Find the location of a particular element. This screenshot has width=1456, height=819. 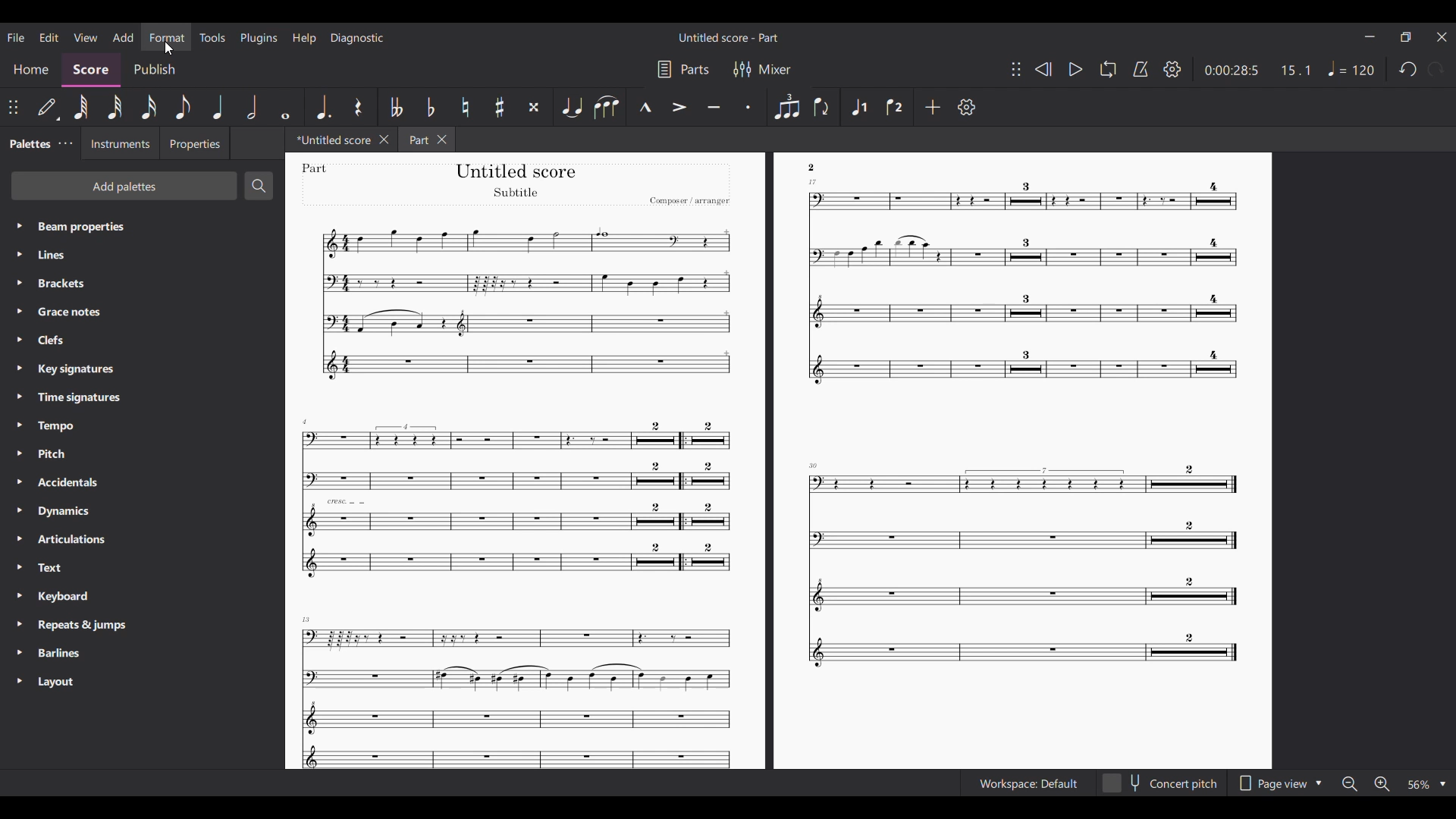

Rest is located at coordinates (358, 108).